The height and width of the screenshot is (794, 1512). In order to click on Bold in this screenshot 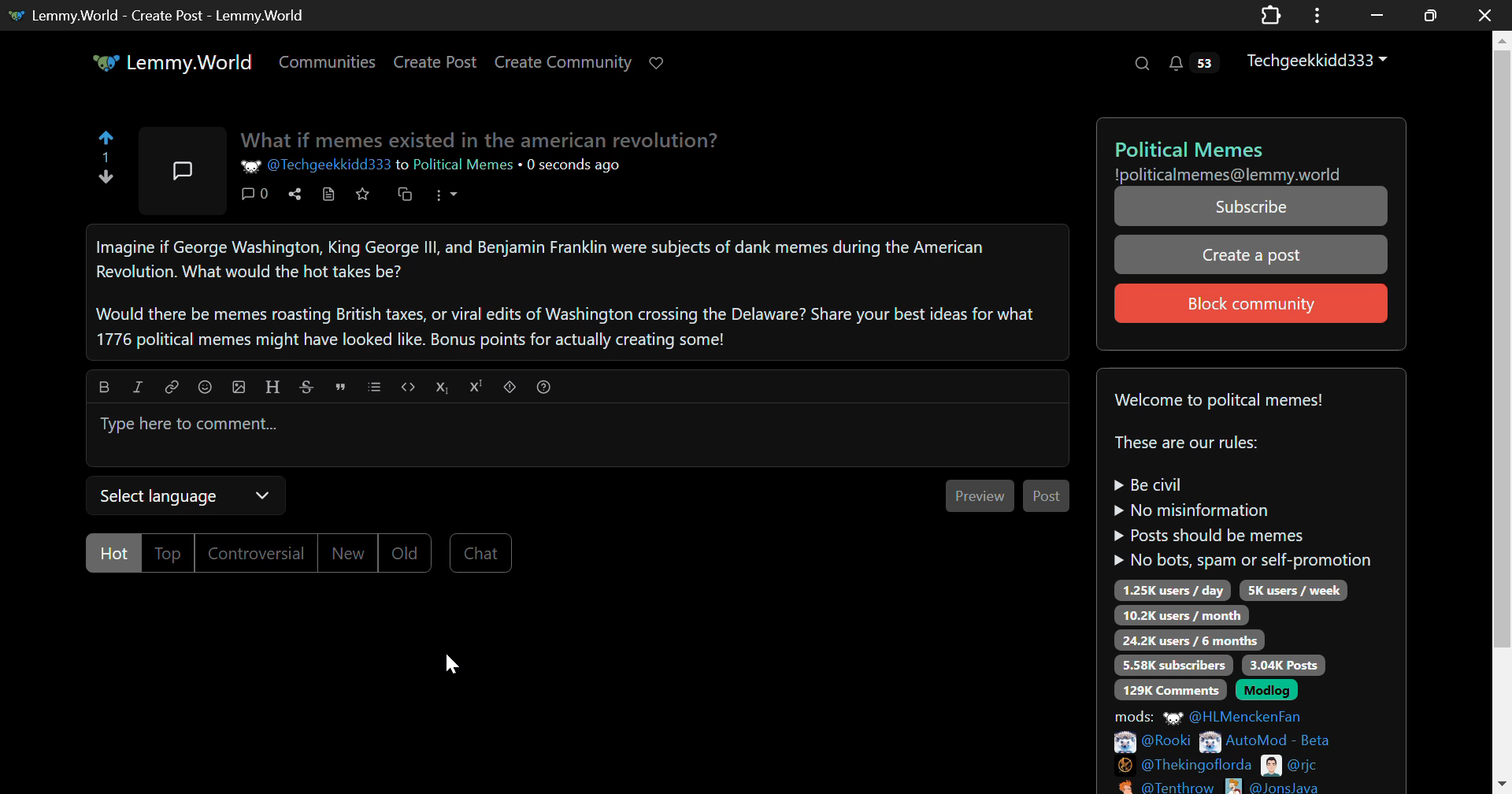, I will do `click(105, 386)`.